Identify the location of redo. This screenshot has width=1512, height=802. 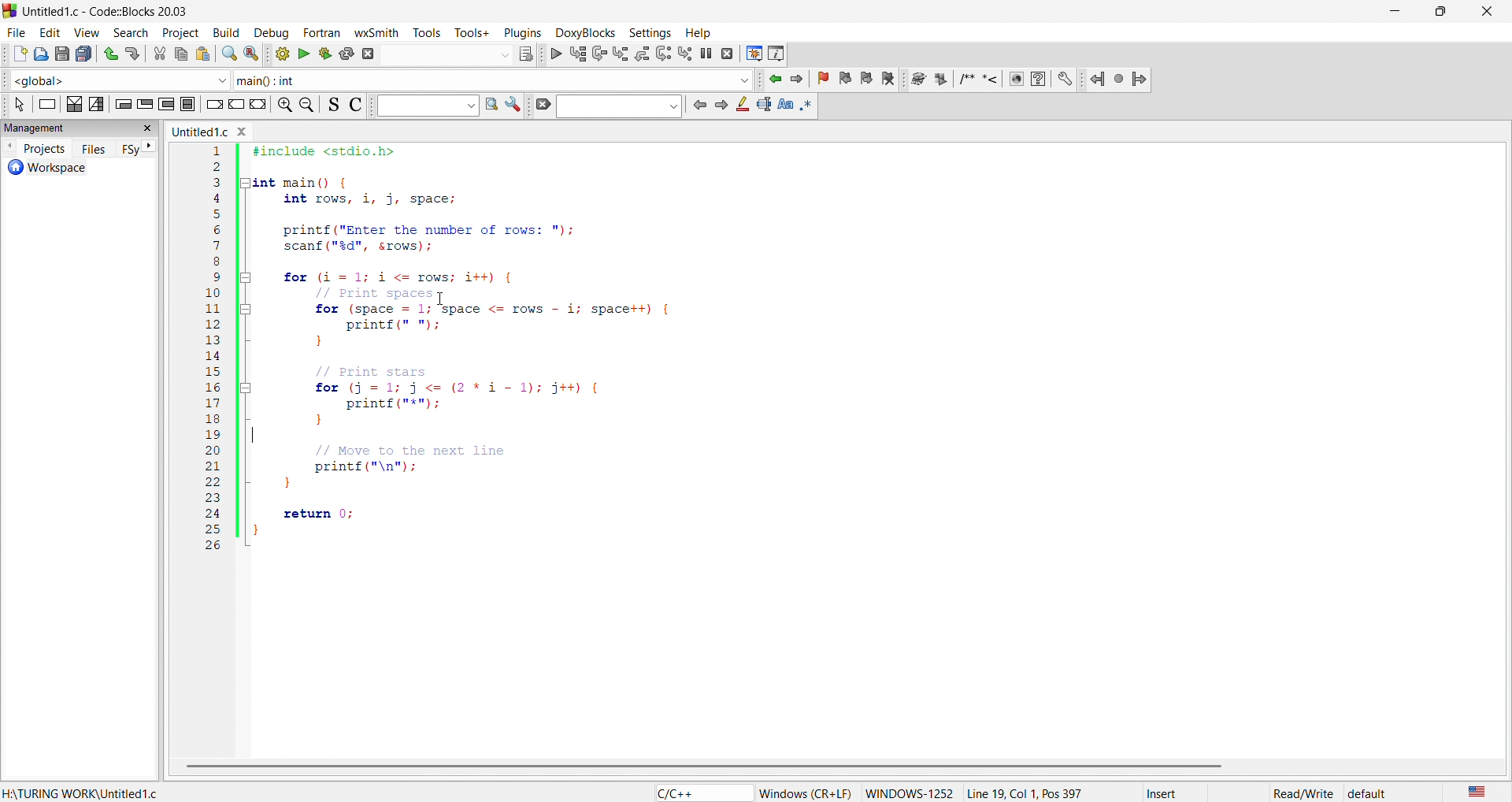
(135, 54).